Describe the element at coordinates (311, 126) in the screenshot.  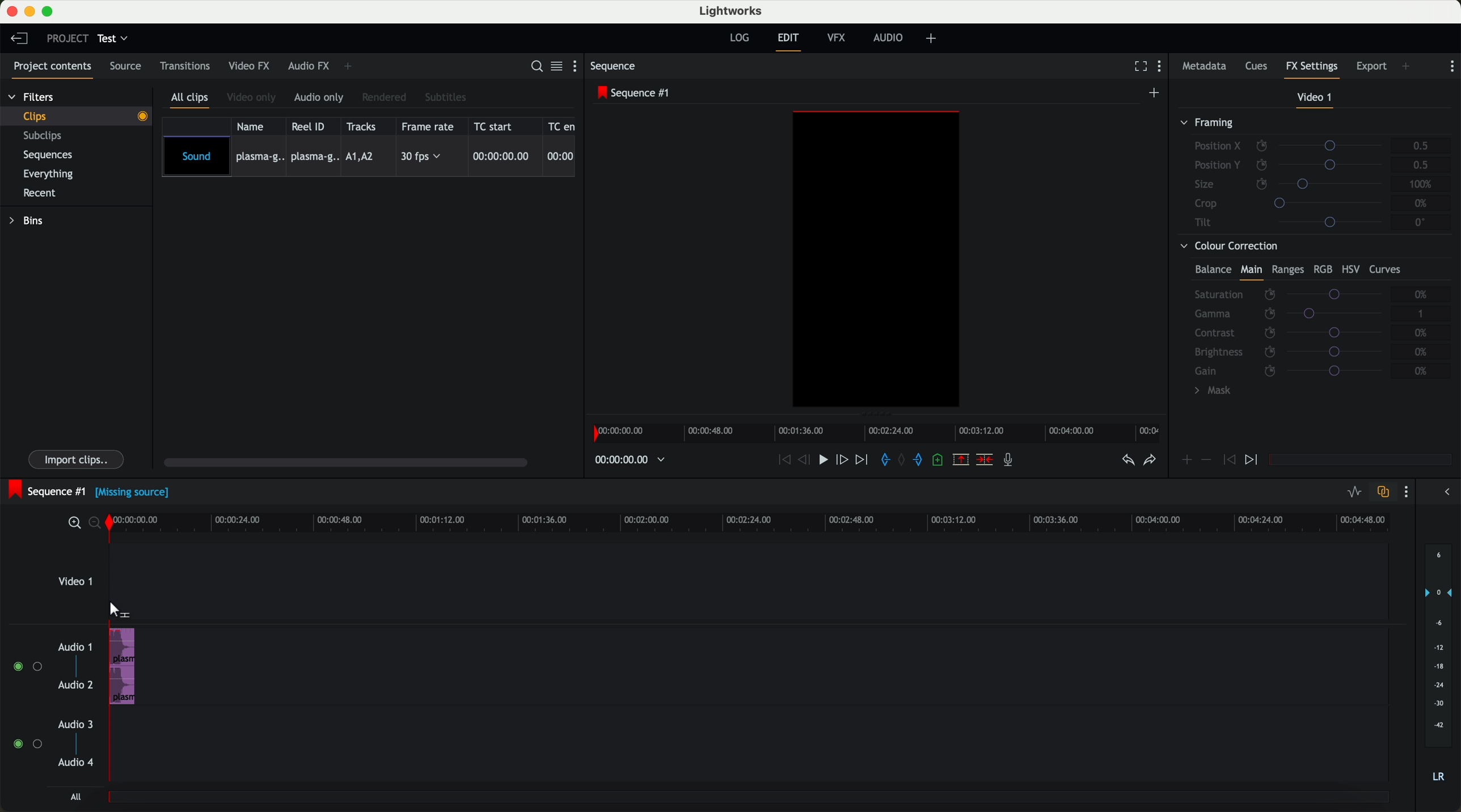
I see `reel ID` at that location.